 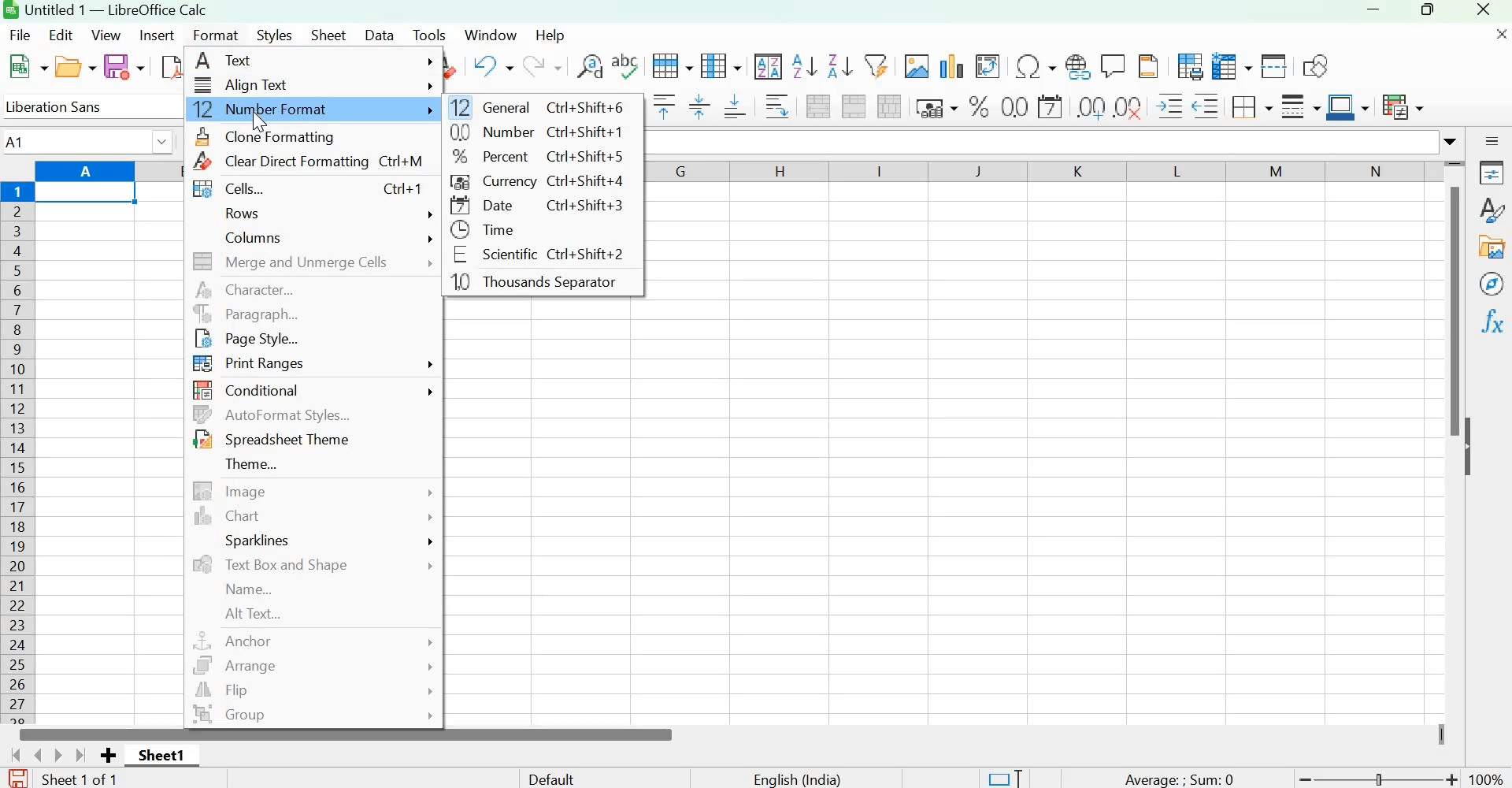 I want to click on Sheet, so click(x=330, y=34).